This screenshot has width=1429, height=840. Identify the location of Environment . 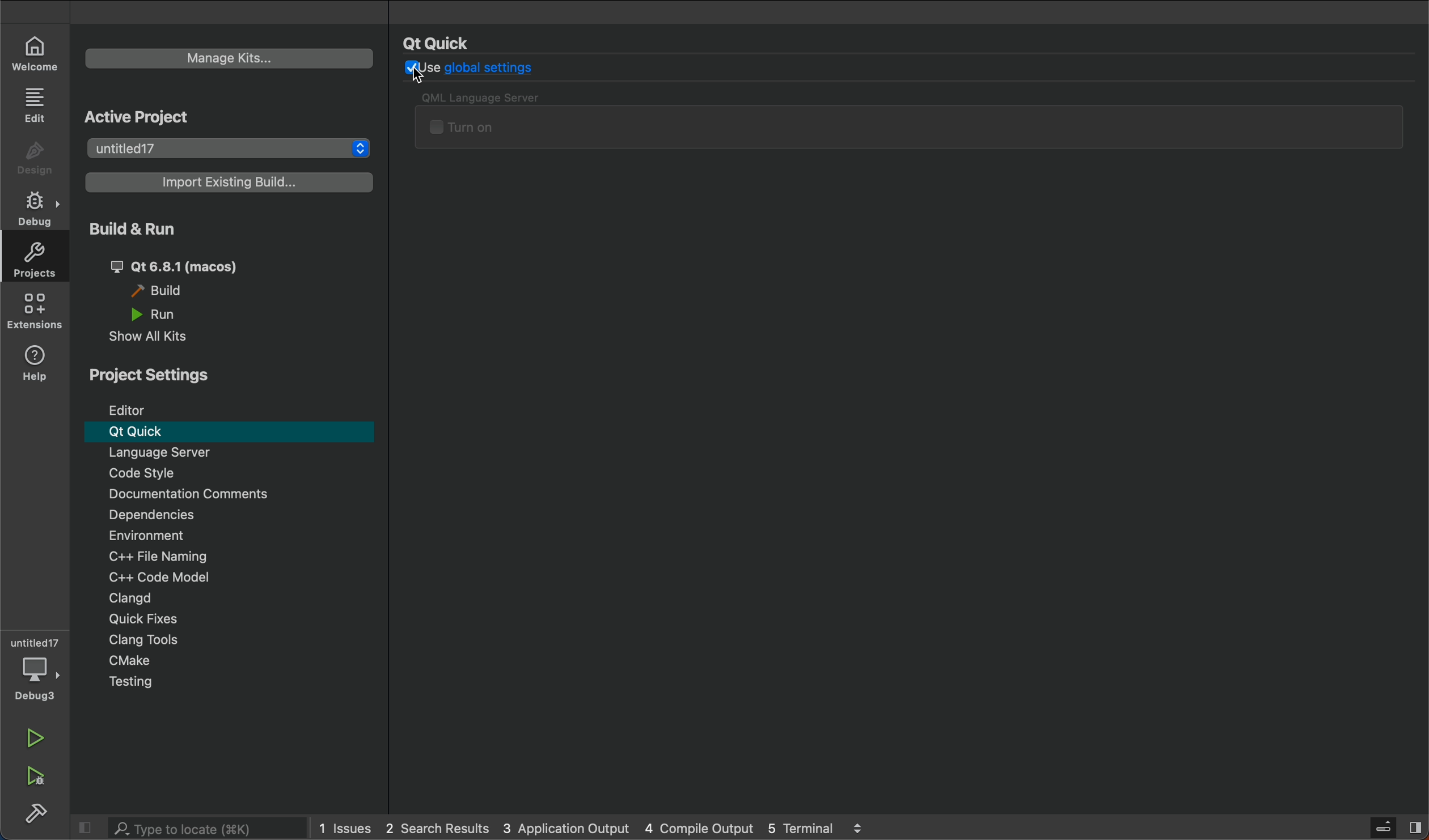
(235, 536).